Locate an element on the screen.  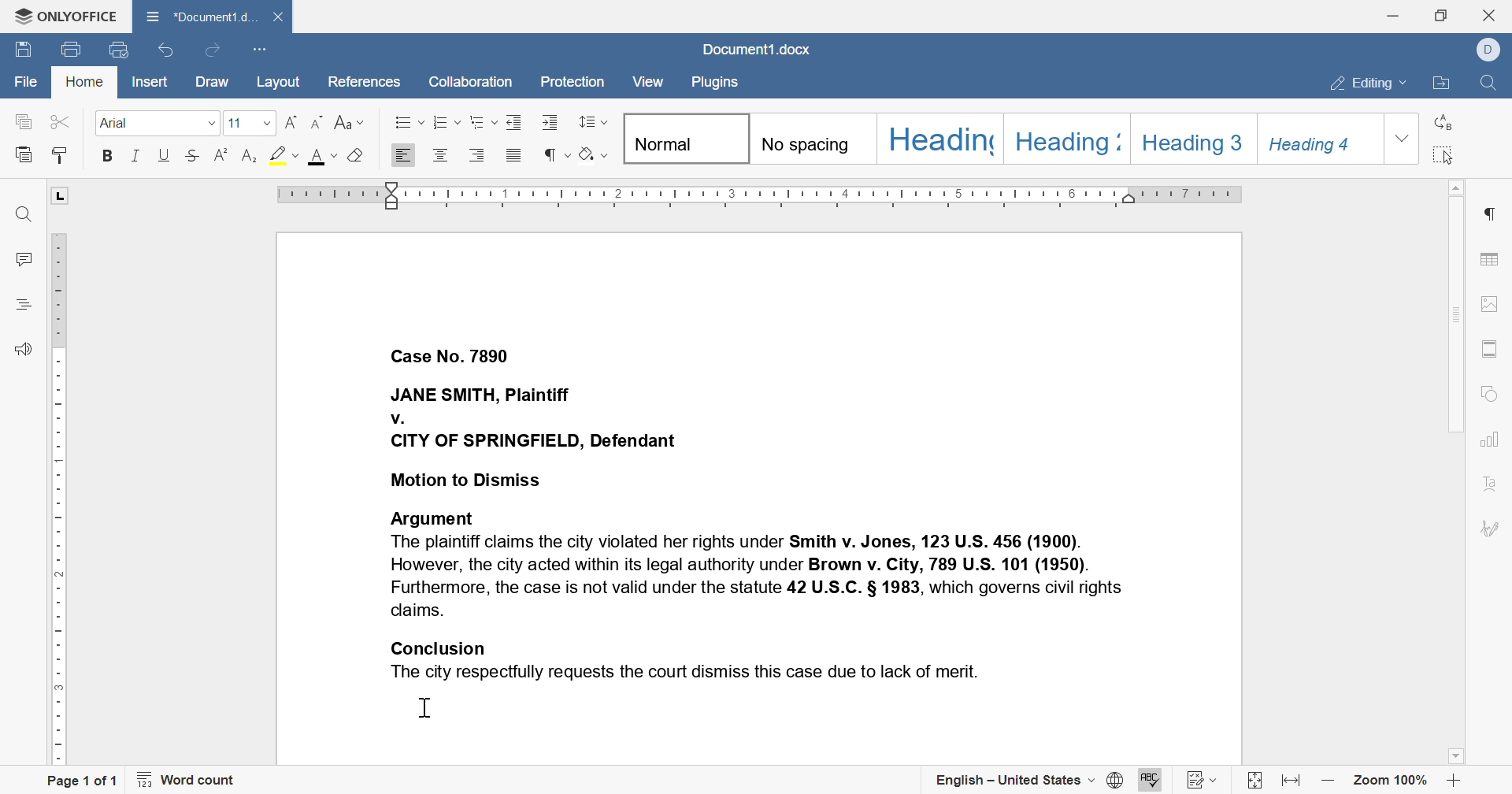
decrement font size is located at coordinates (320, 121).